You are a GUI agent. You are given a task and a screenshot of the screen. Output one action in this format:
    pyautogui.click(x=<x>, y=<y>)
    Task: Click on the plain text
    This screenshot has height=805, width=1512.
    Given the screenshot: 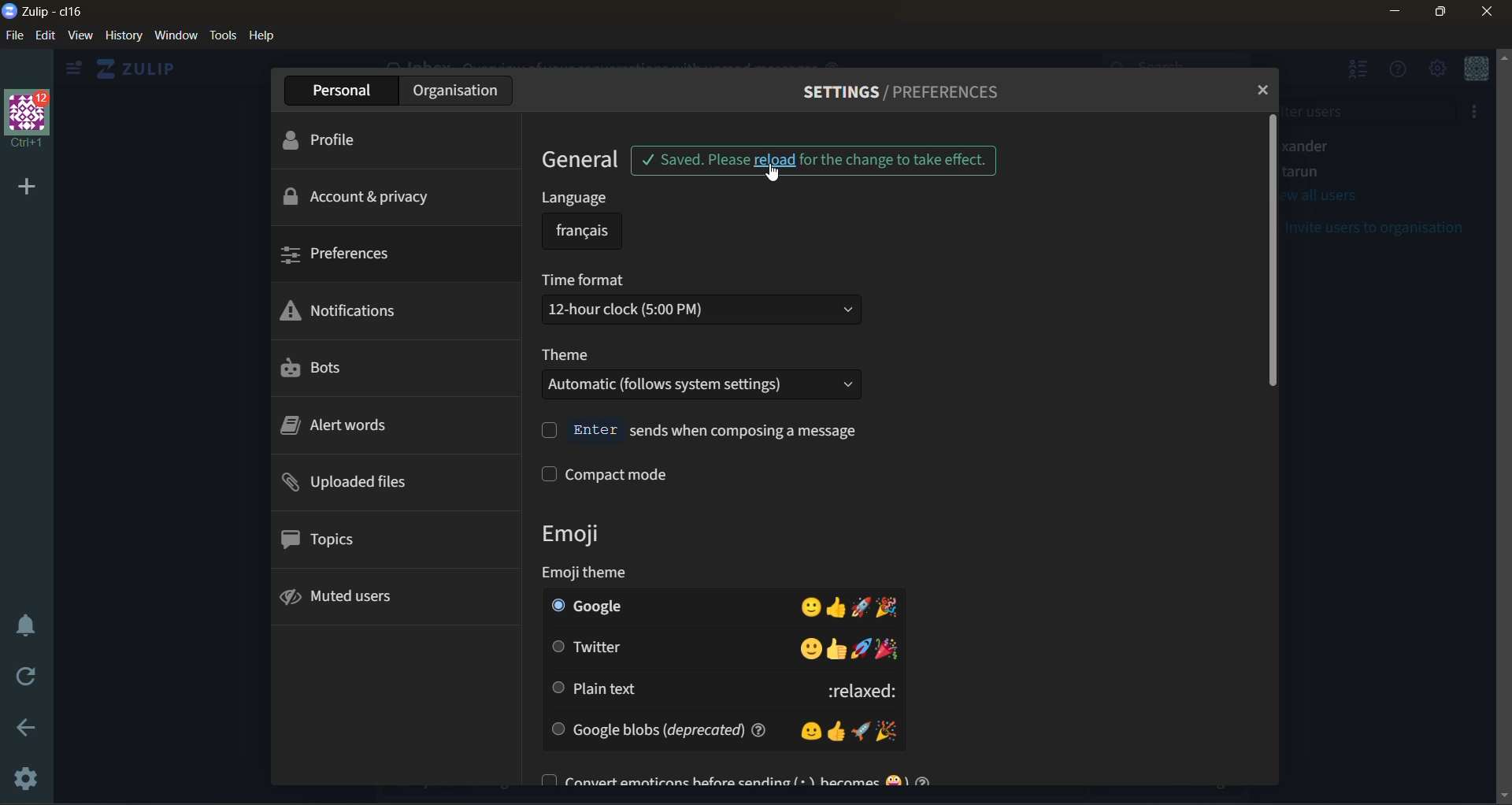 What is the action you would take?
    pyautogui.click(x=719, y=689)
    